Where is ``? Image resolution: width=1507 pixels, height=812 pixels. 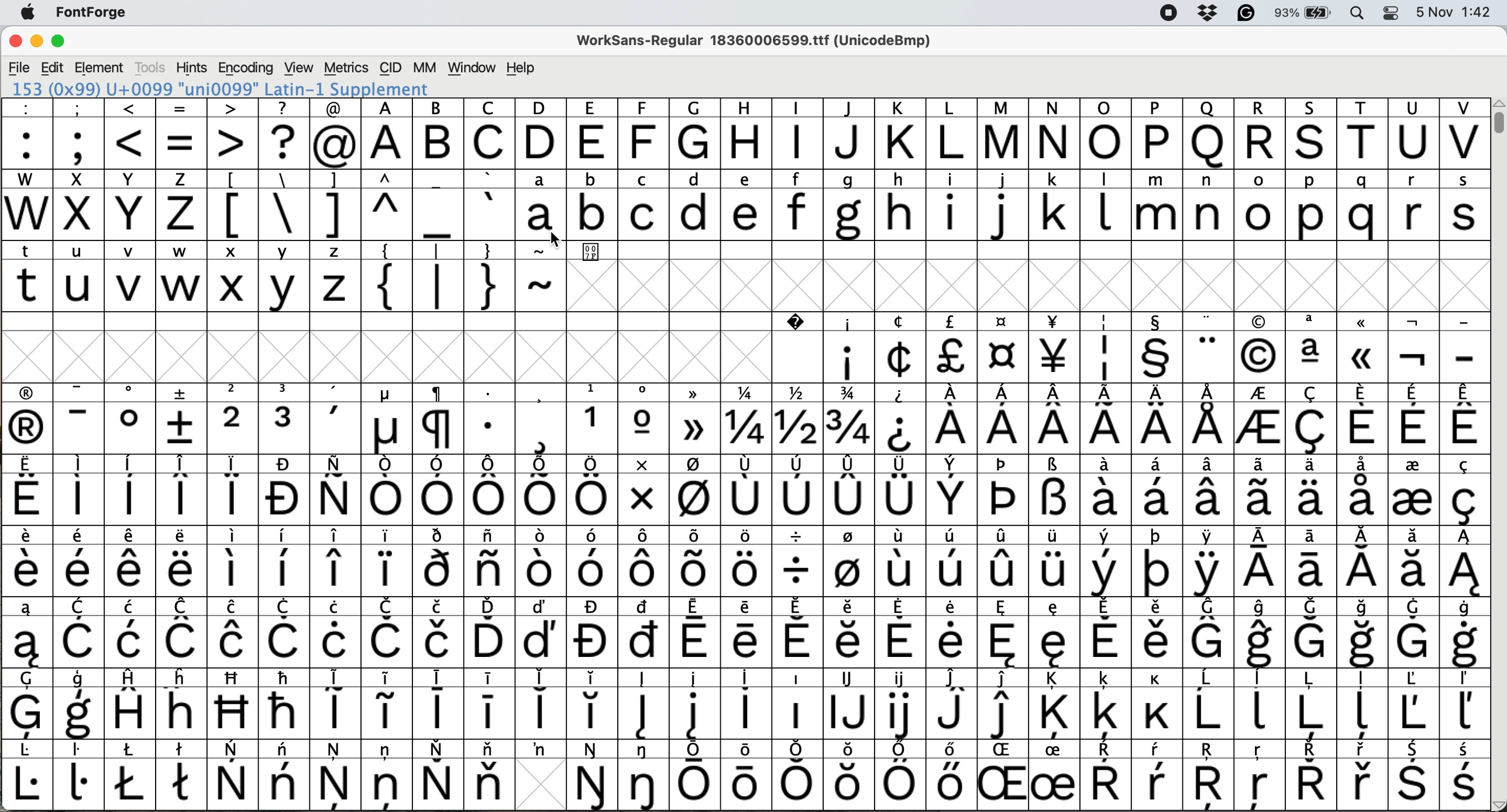
 is located at coordinates (1261, 776).